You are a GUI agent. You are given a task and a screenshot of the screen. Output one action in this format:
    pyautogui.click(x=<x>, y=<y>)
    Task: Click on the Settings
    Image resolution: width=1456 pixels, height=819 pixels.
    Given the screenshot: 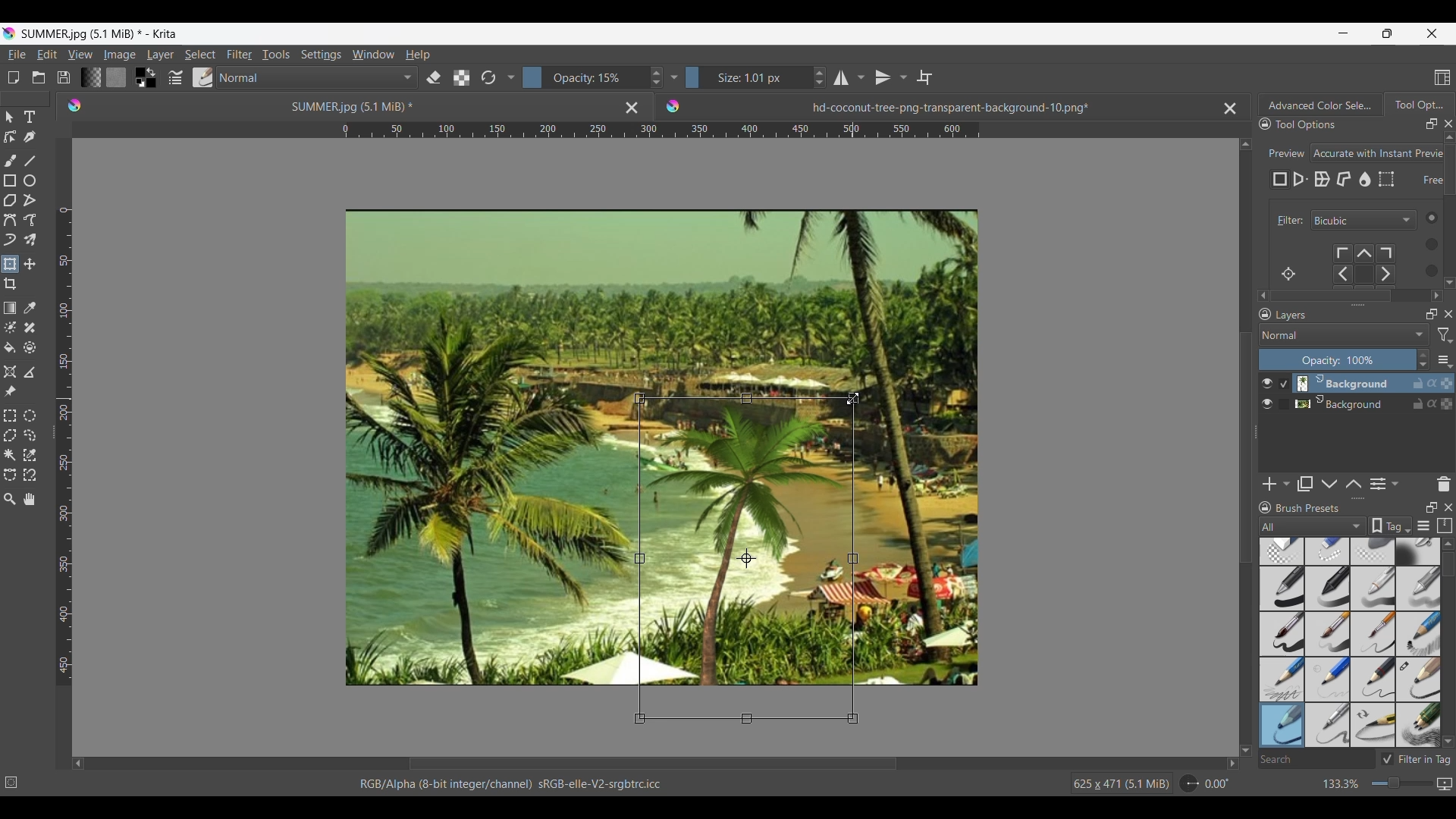 What is the action you would take?
    pyautogui.click(x=321, y=54)
    